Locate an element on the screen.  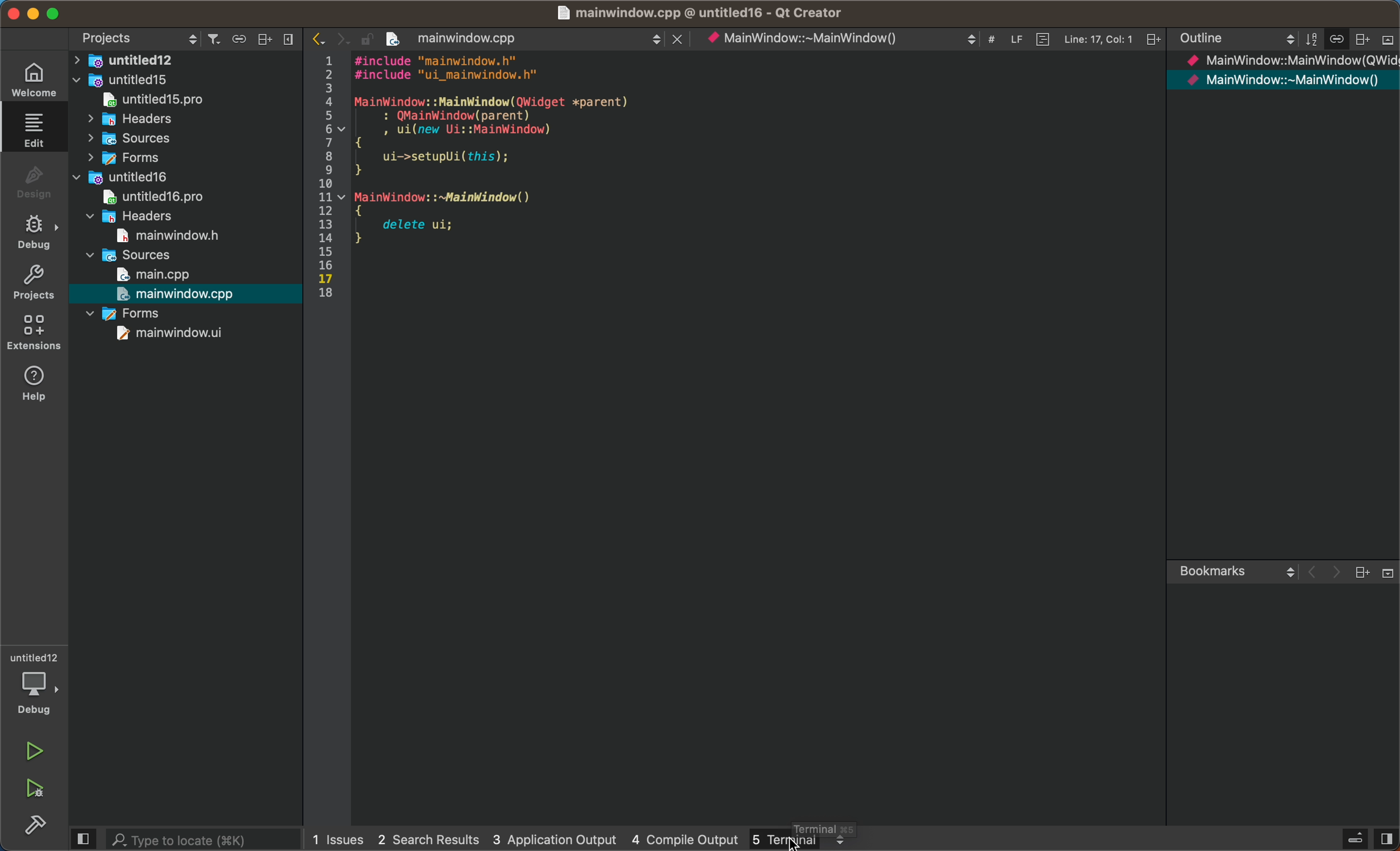
Menu is located at coordinates (1353, 838).